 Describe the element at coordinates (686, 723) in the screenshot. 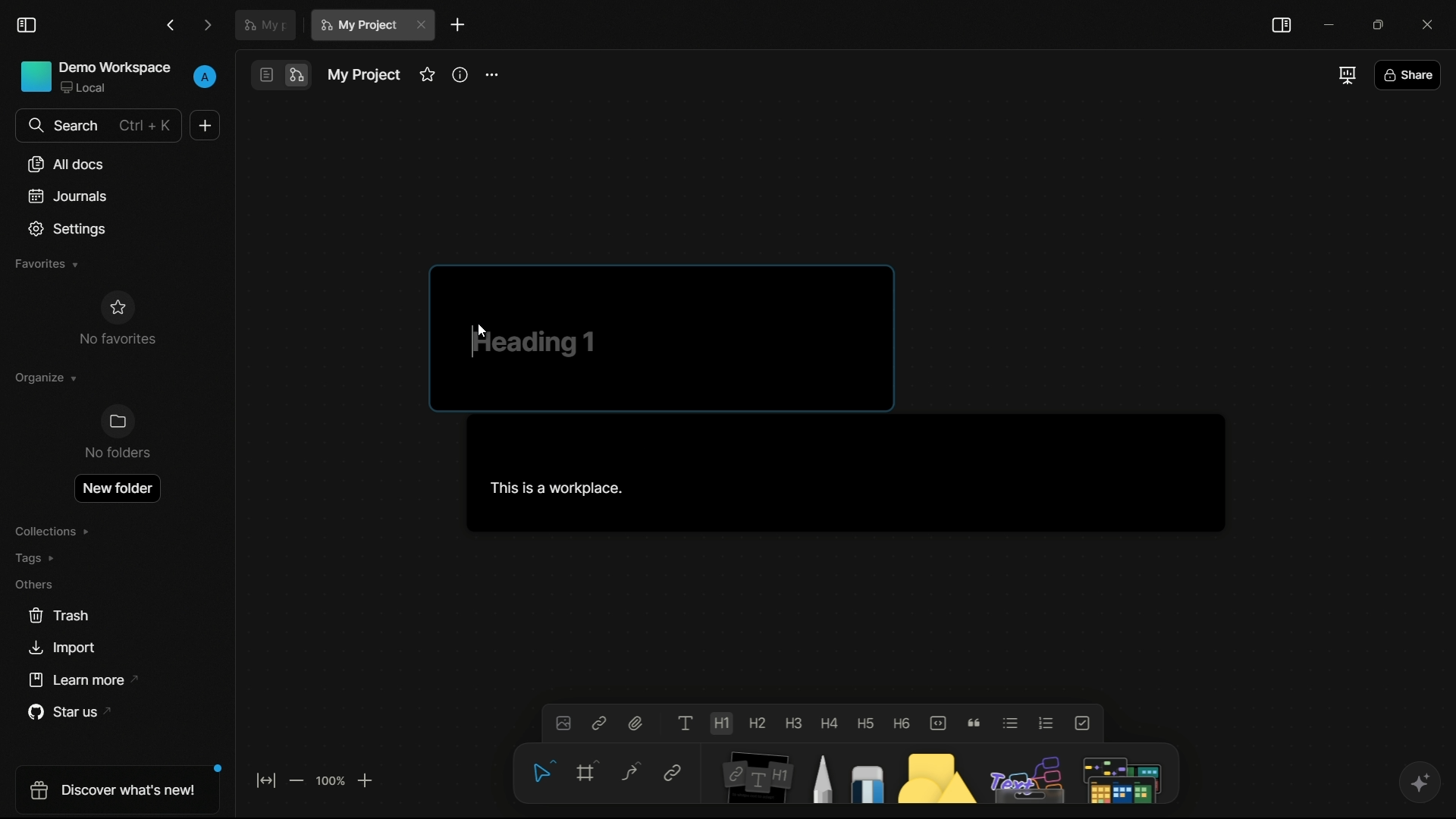

I see `text` at that location.